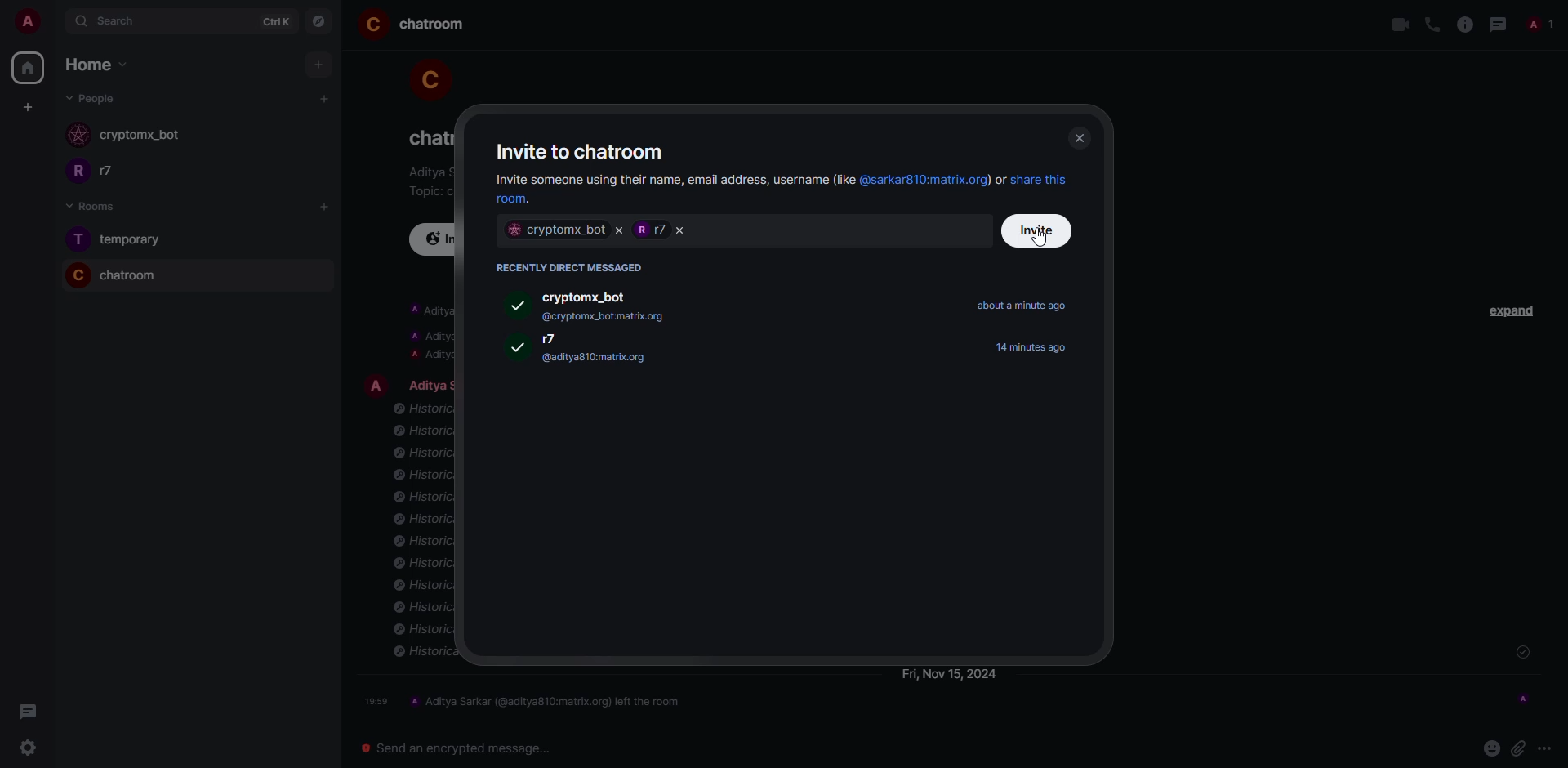  Describe the element at coordinates (425, 137) in the screenshot. I see `room` at that location.